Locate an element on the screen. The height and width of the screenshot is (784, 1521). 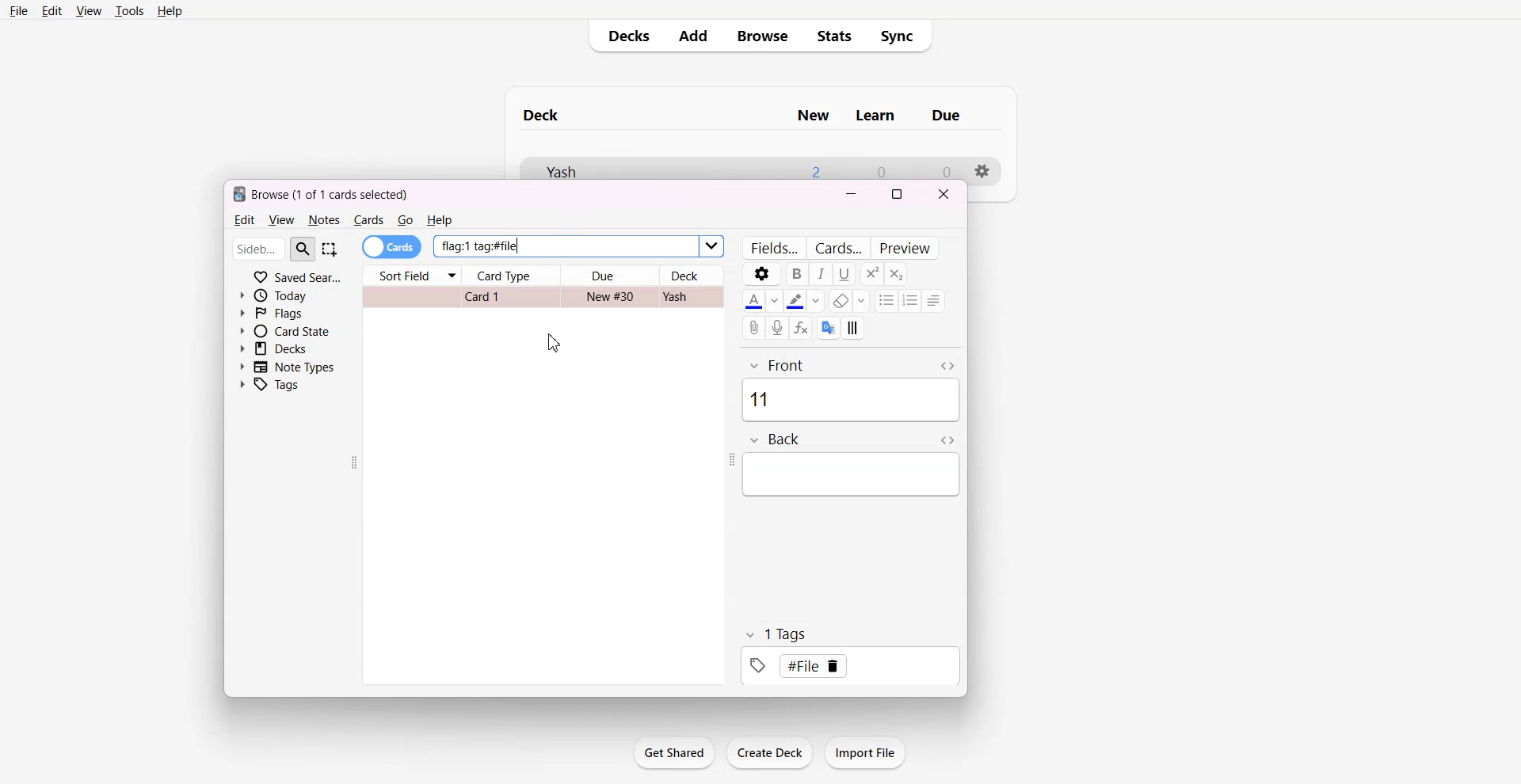
Sync is located at coordinates (901, 36).